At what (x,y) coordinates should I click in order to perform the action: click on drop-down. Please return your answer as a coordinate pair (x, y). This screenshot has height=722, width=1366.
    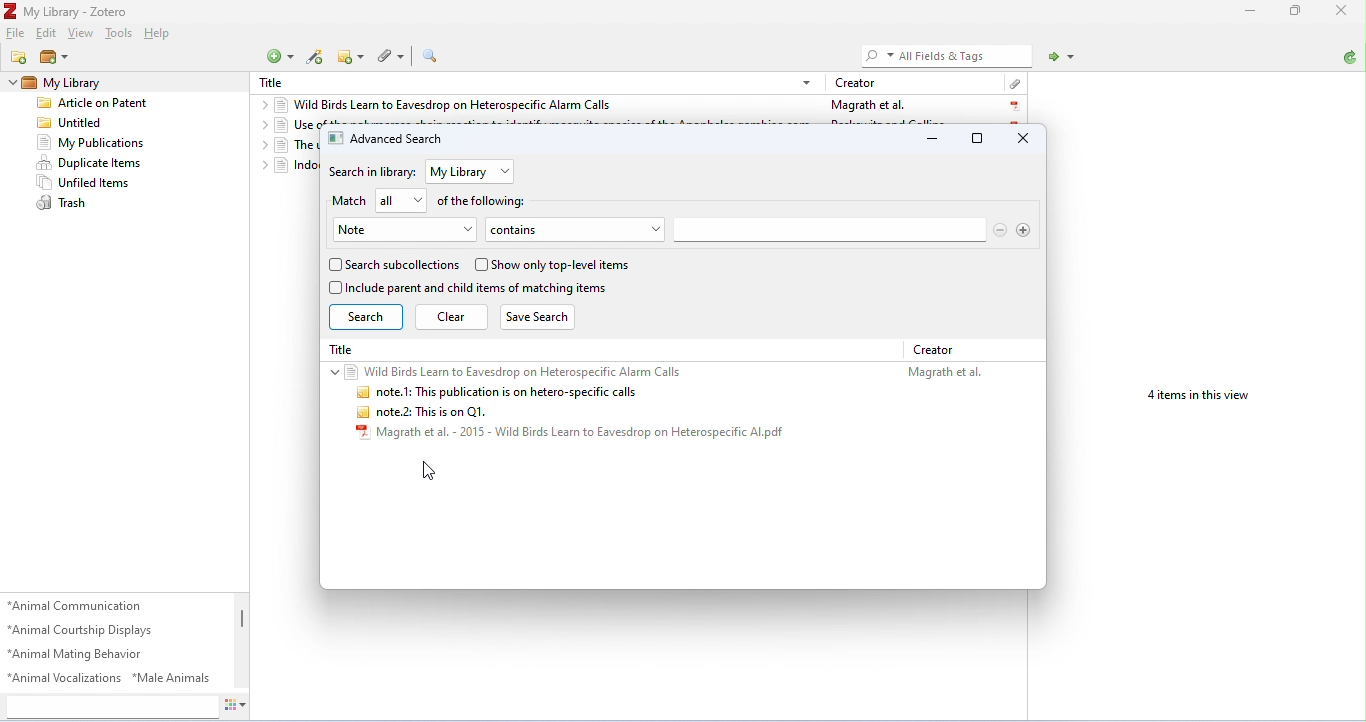
    Looking at the image, I should click on (262, 126).